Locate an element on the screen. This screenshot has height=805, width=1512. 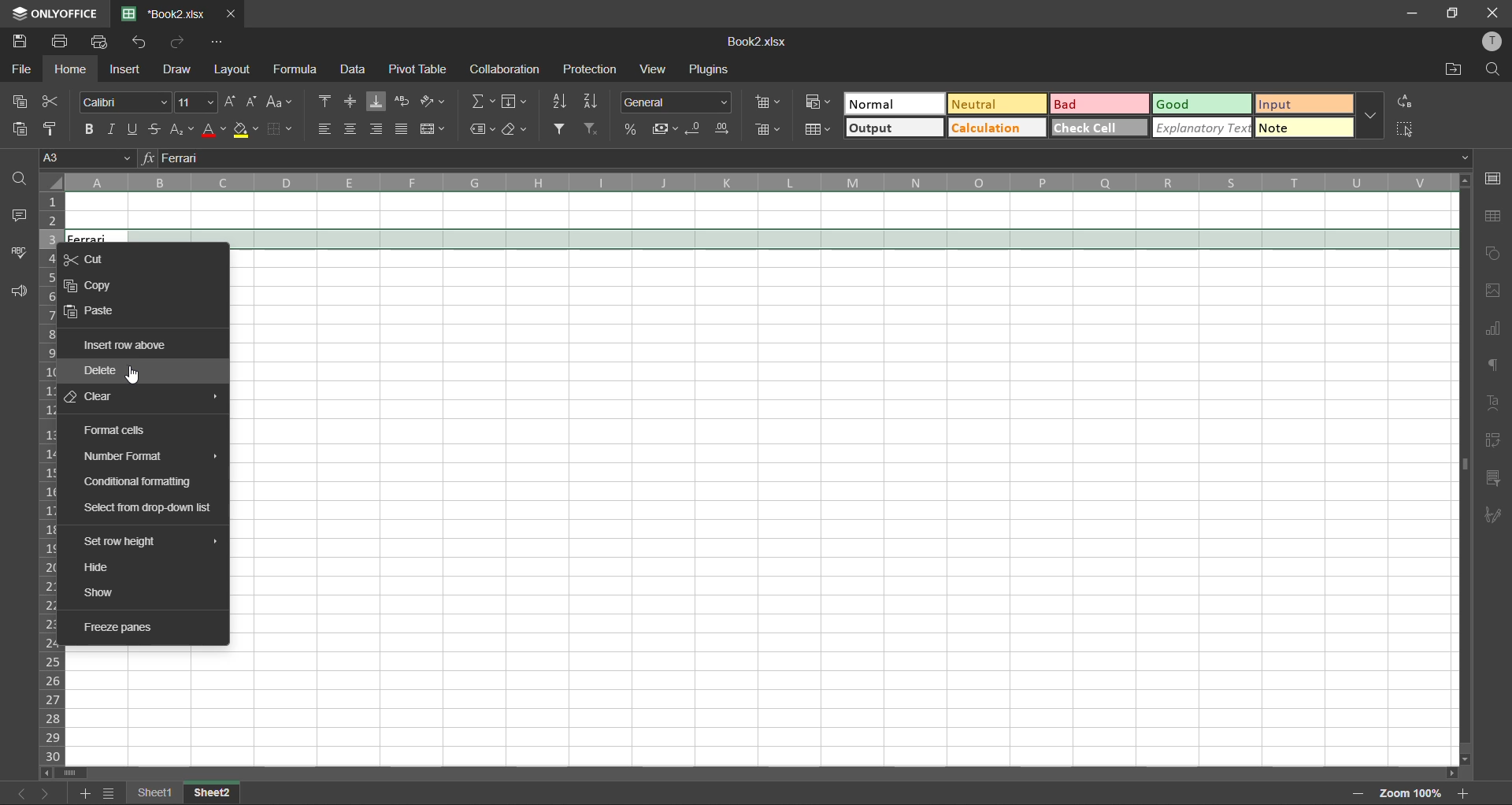
underline is located at coordinates (137, 128).